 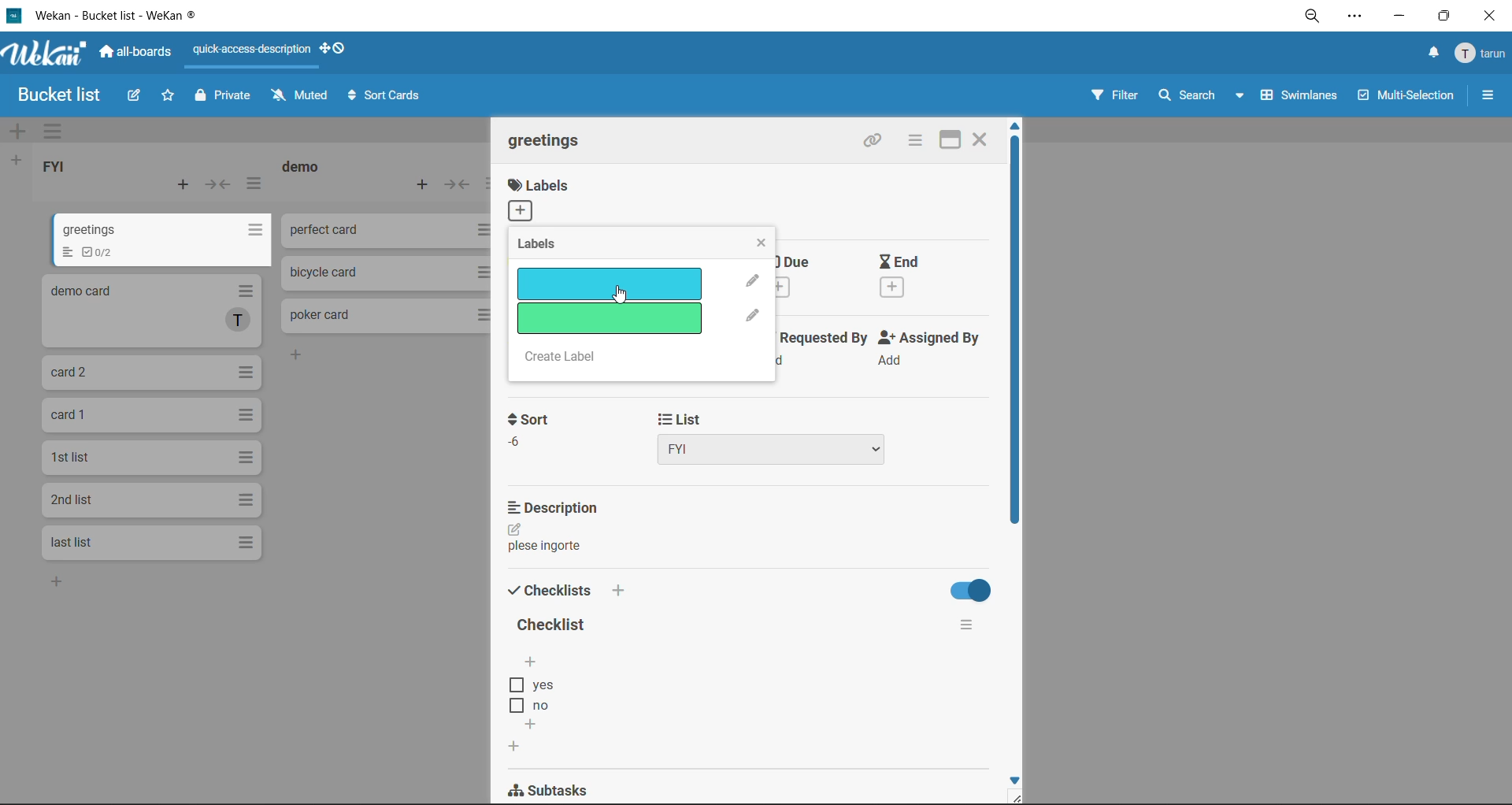 I want to click on sort cards, so click(x=387, y=95).